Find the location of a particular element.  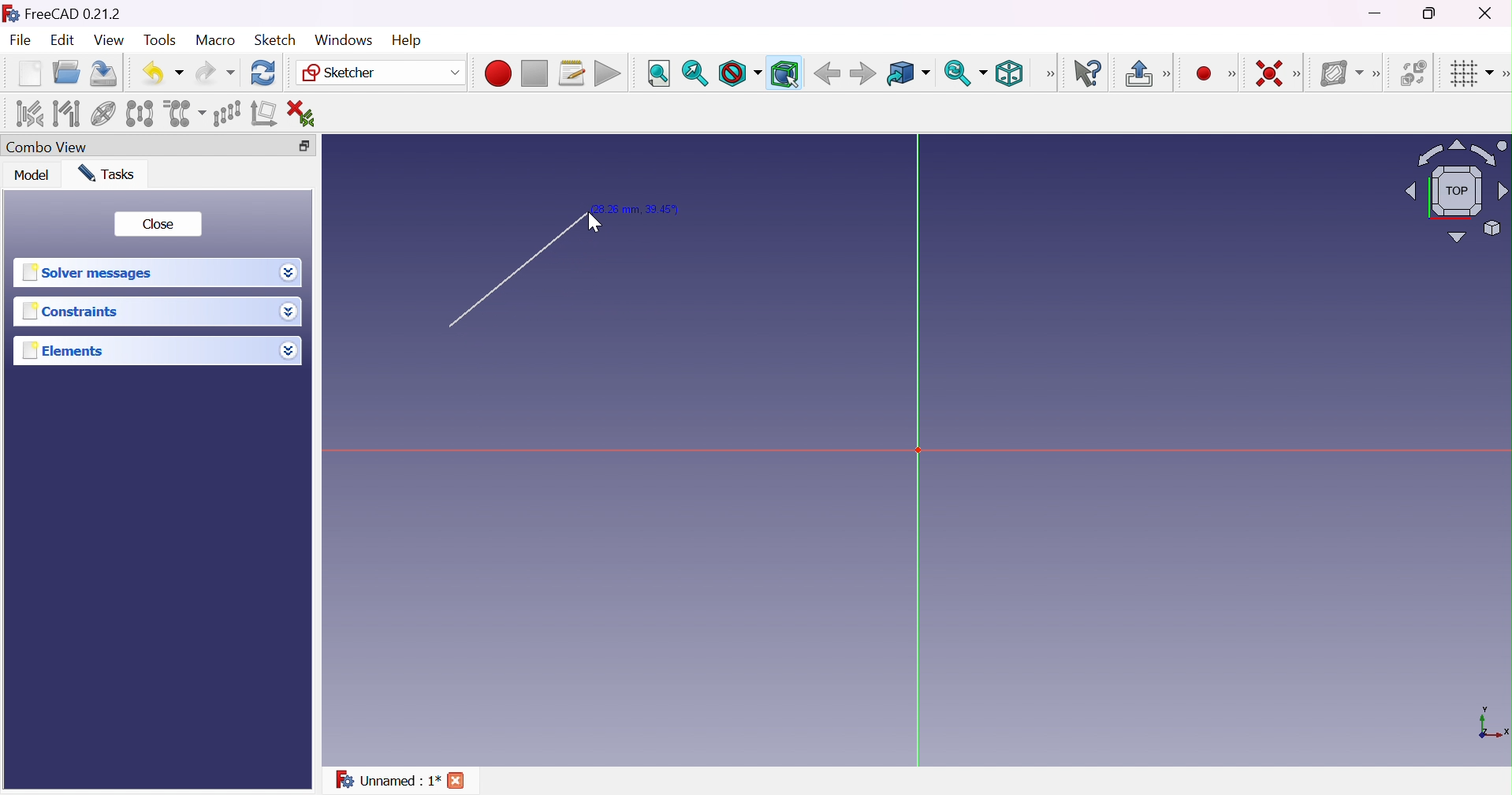

Redo is located at coordinates (214, 73).